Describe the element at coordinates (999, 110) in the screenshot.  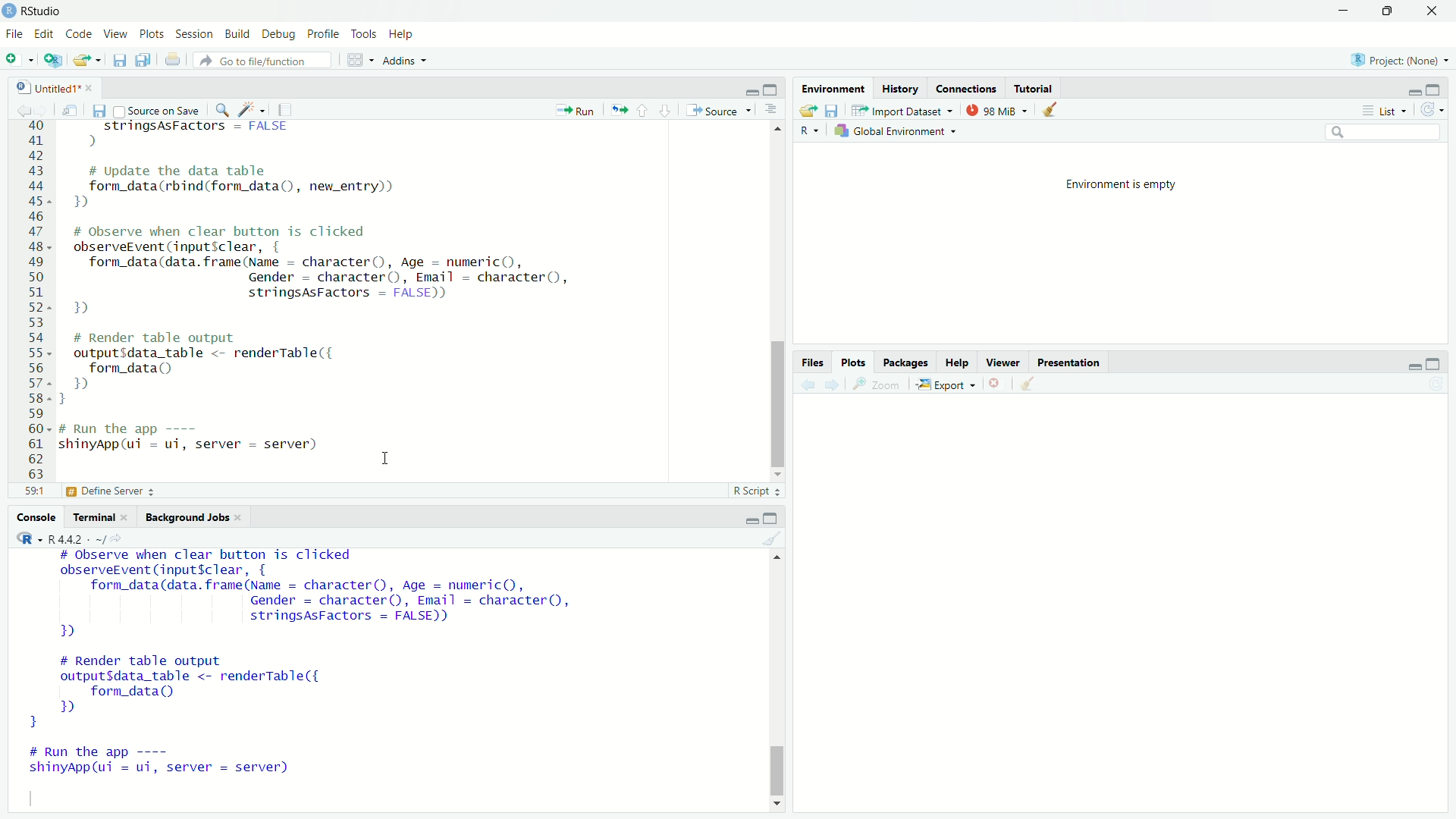
I see `98 MiB` at that location.